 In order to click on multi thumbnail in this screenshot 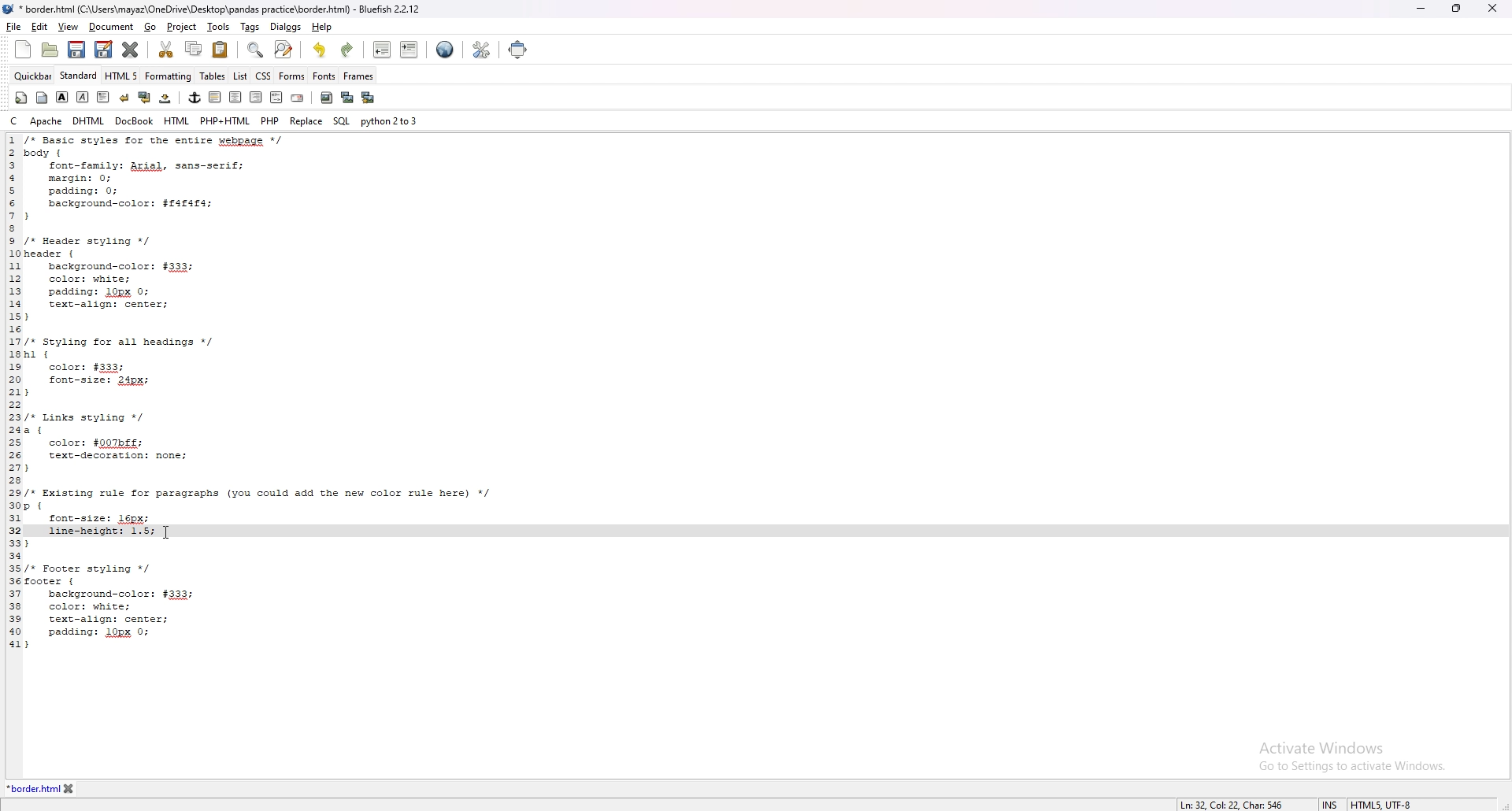, I will do `click(369, 98)`.